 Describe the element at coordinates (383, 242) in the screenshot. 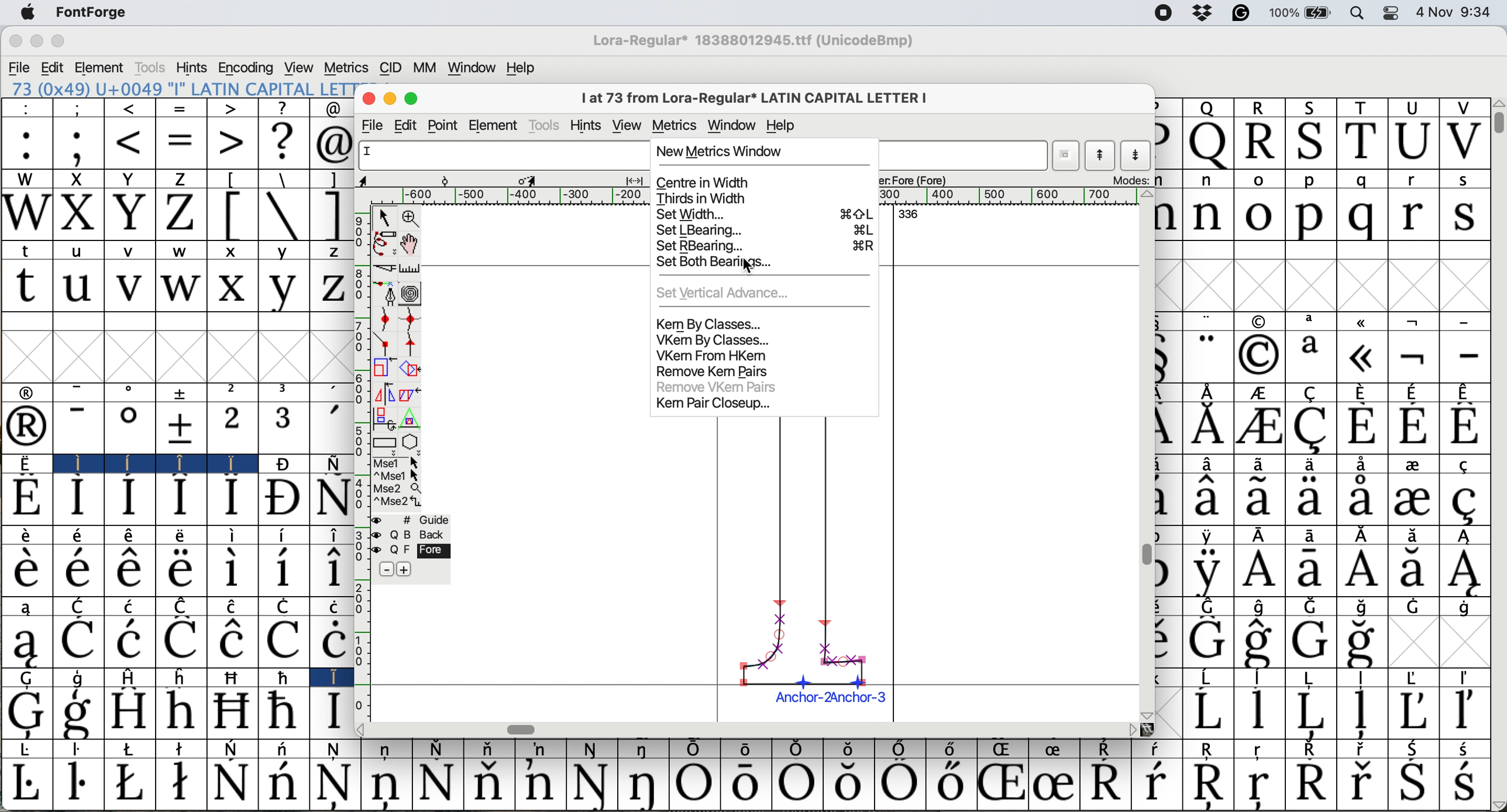

I see `draw freehand curve` at that location.